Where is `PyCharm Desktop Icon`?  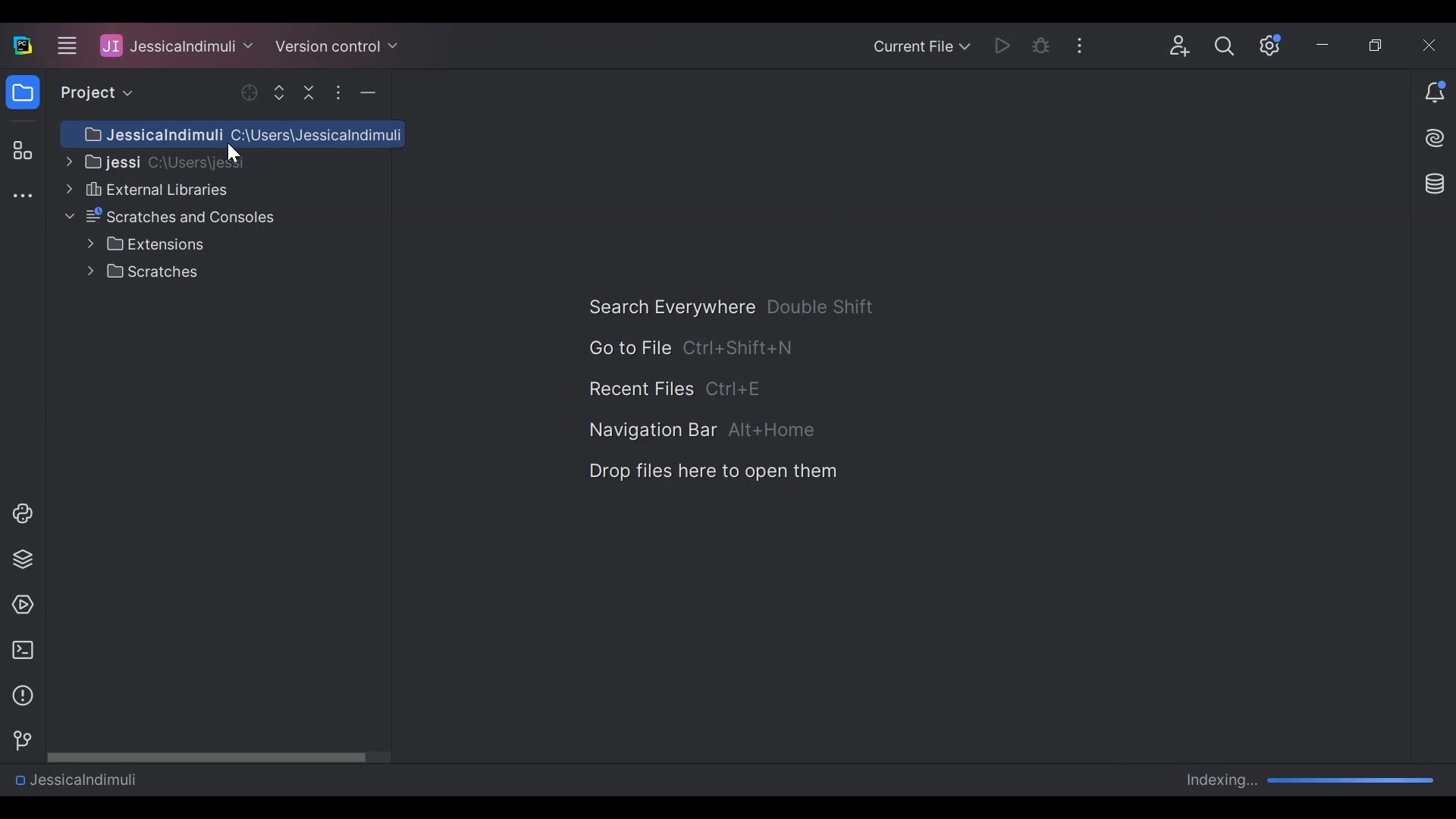 PyCharm Desktop Icon is located at coordinates (24, 46).